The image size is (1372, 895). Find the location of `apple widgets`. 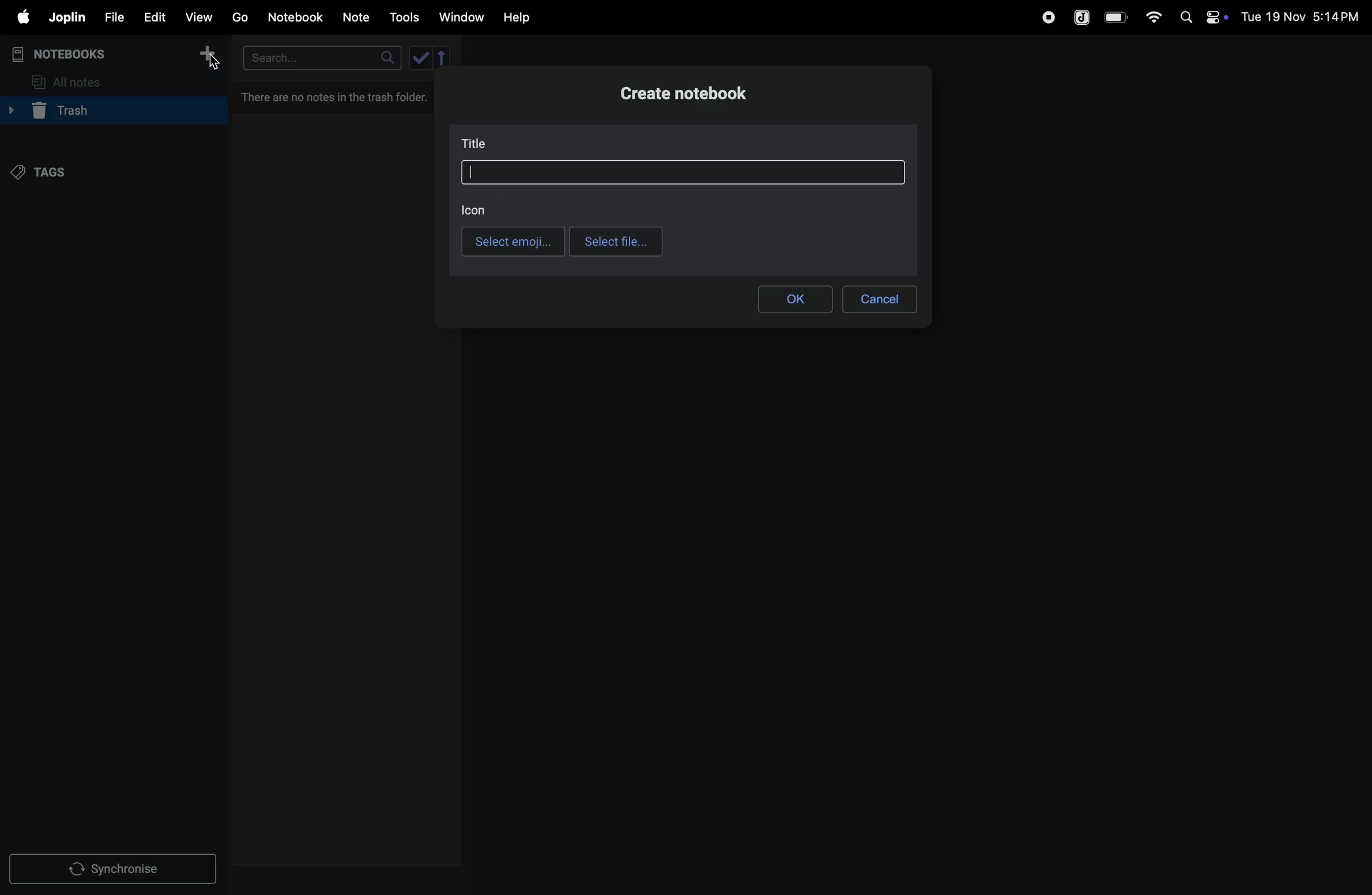

apple widgets is located at coordinates (1201, 16).